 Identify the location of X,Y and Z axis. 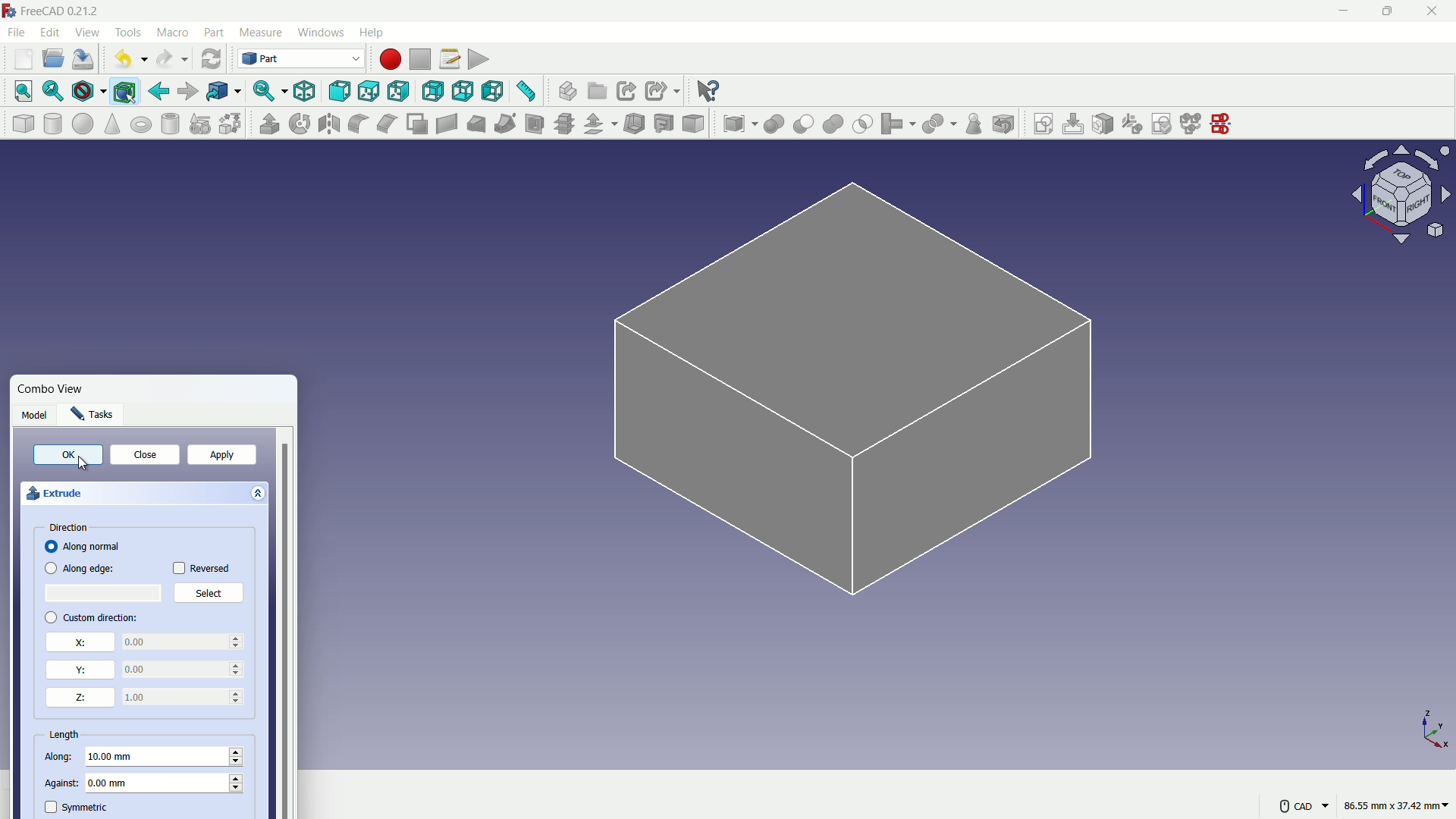
(1423, 727).